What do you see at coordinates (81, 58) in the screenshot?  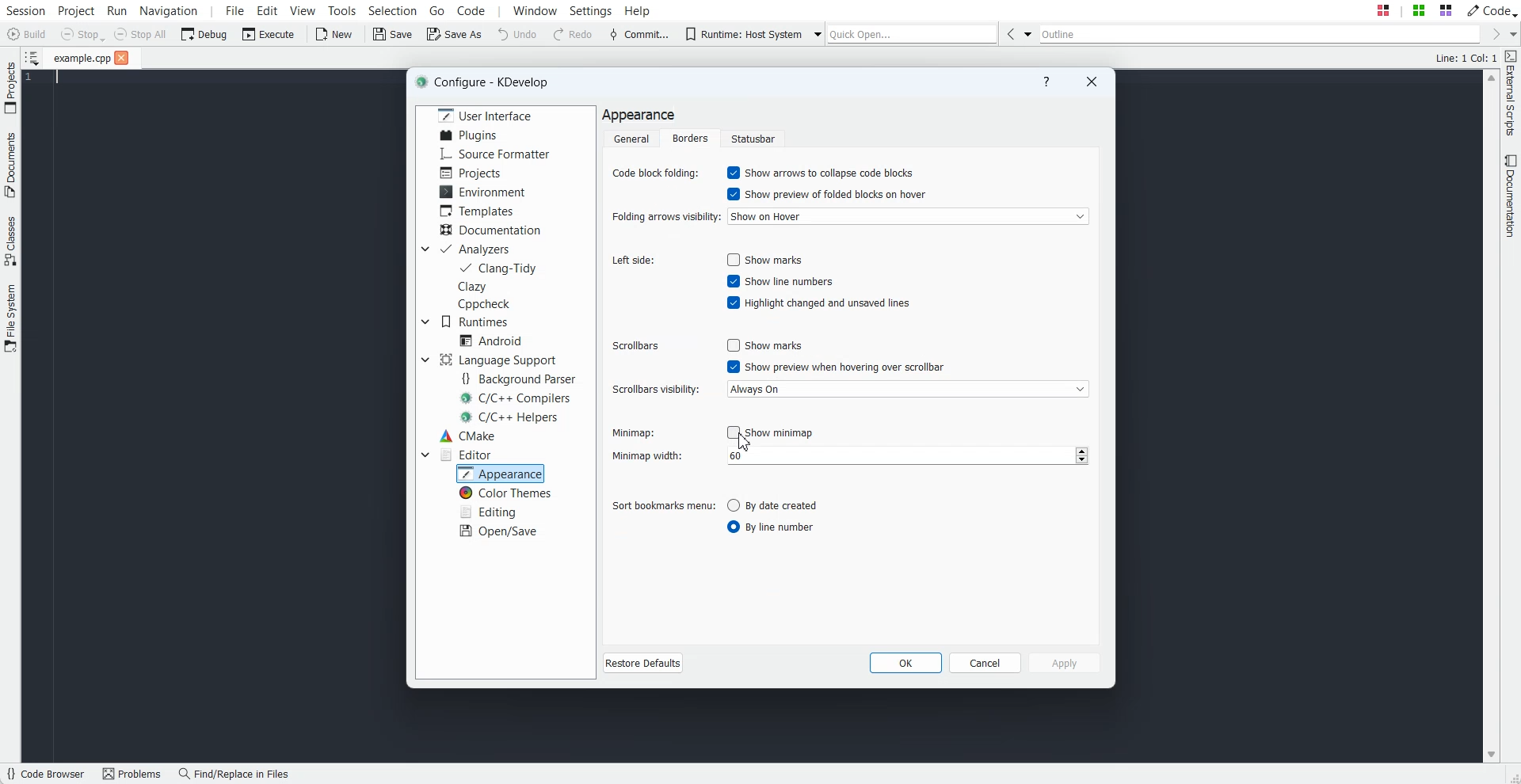 I see `File` at bounding box center [81, 58].